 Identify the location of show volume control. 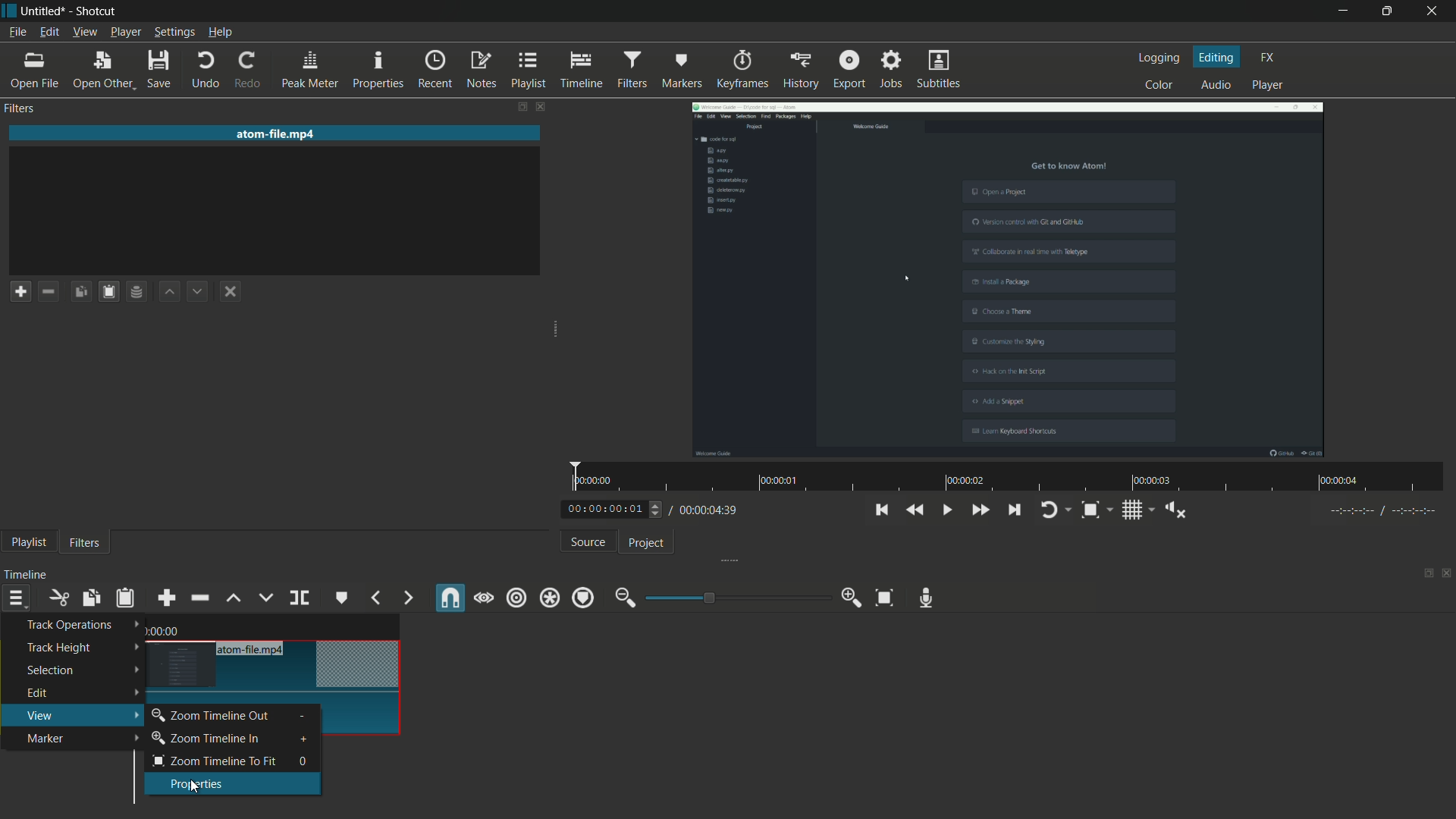
(1175, 510).